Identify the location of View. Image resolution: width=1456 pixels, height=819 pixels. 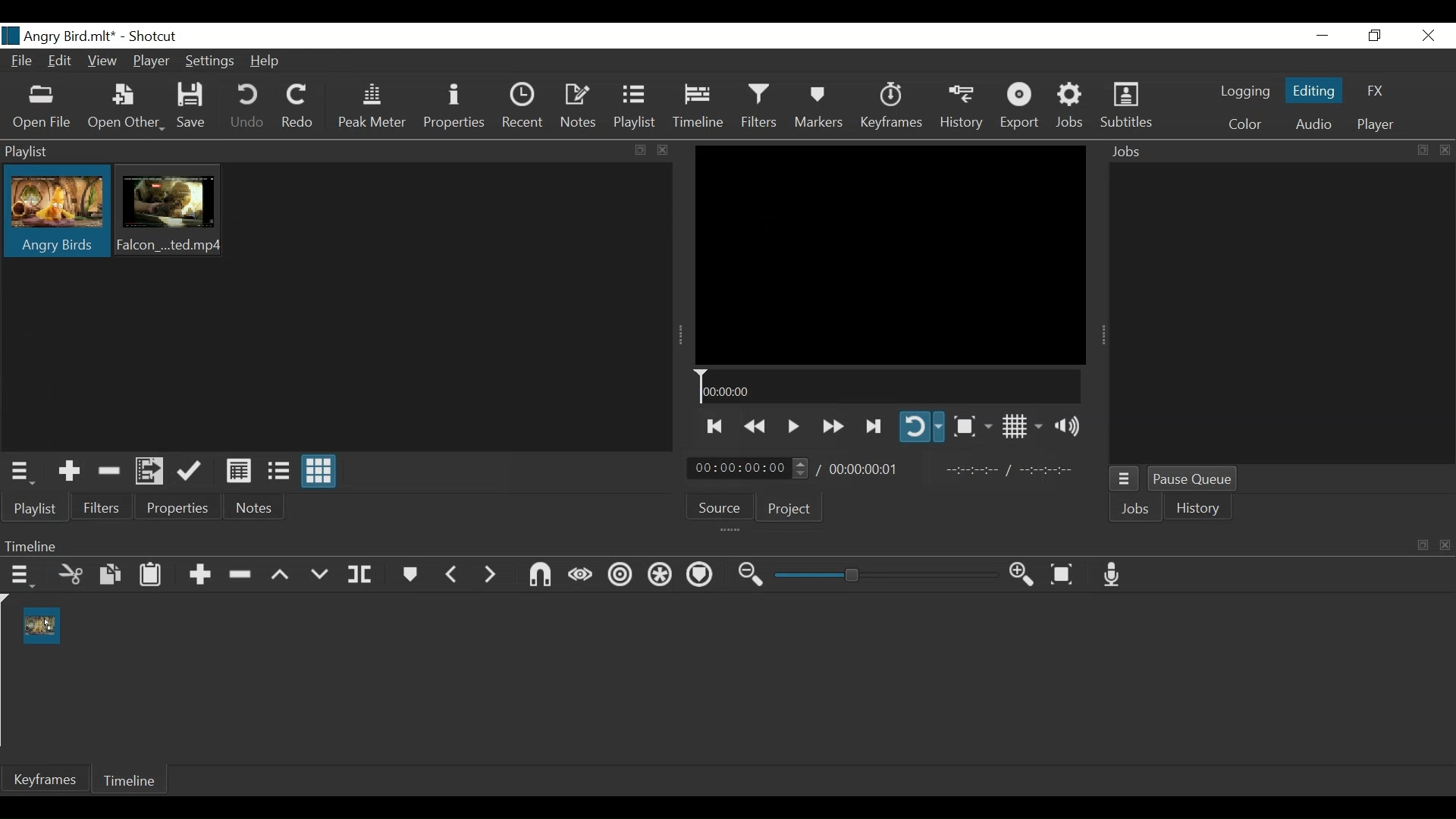
(102, 61).